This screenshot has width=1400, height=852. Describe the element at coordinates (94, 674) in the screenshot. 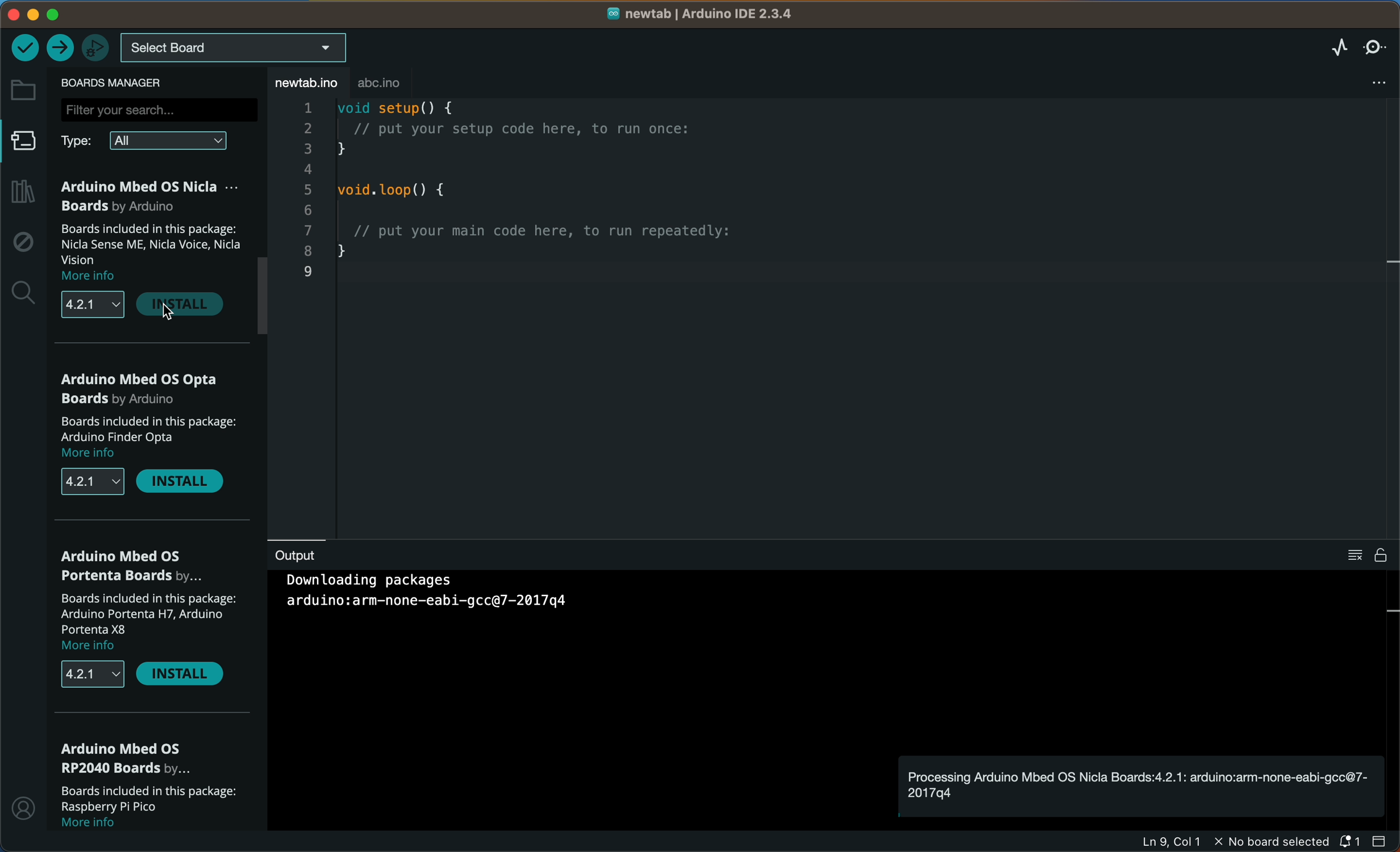

I see `versions` at that location.